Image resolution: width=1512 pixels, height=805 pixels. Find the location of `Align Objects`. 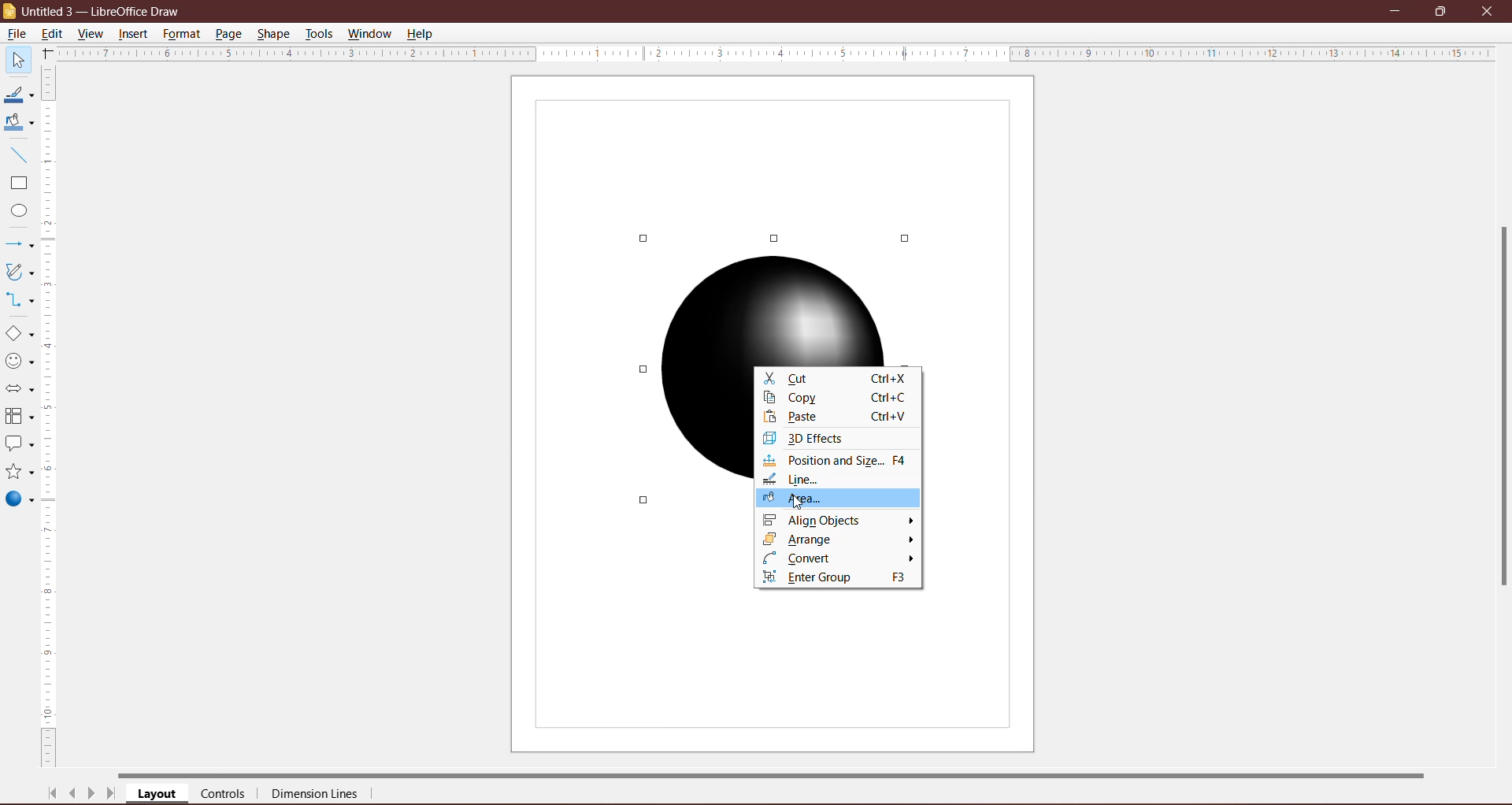

Align Objects is located at coordinates (839, 521).